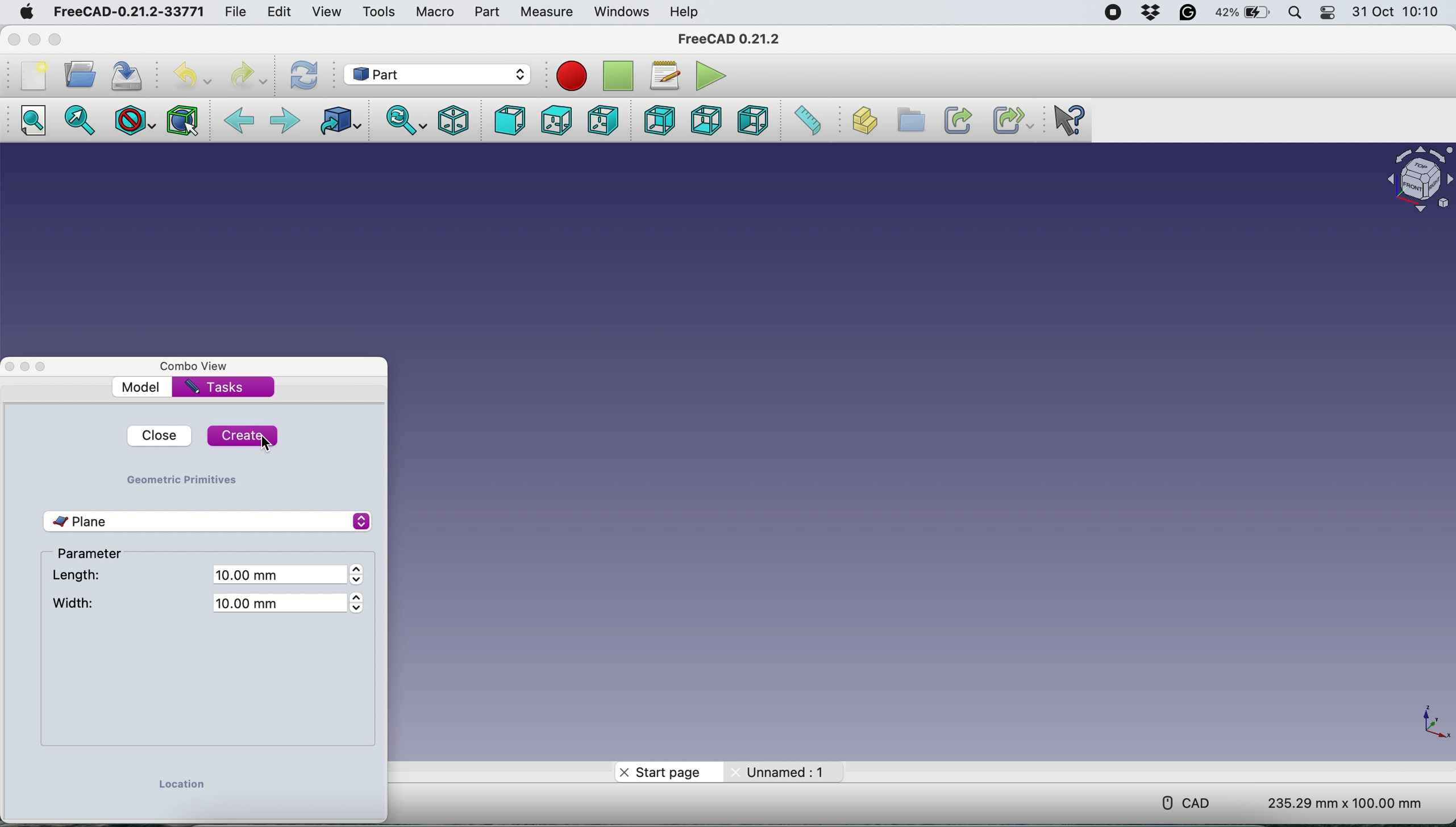 This screenshot has height=827, width=1456. What do you see at coordinates (235, 10) in the screenshot?
I see `File` at bounding box center [235, 10].